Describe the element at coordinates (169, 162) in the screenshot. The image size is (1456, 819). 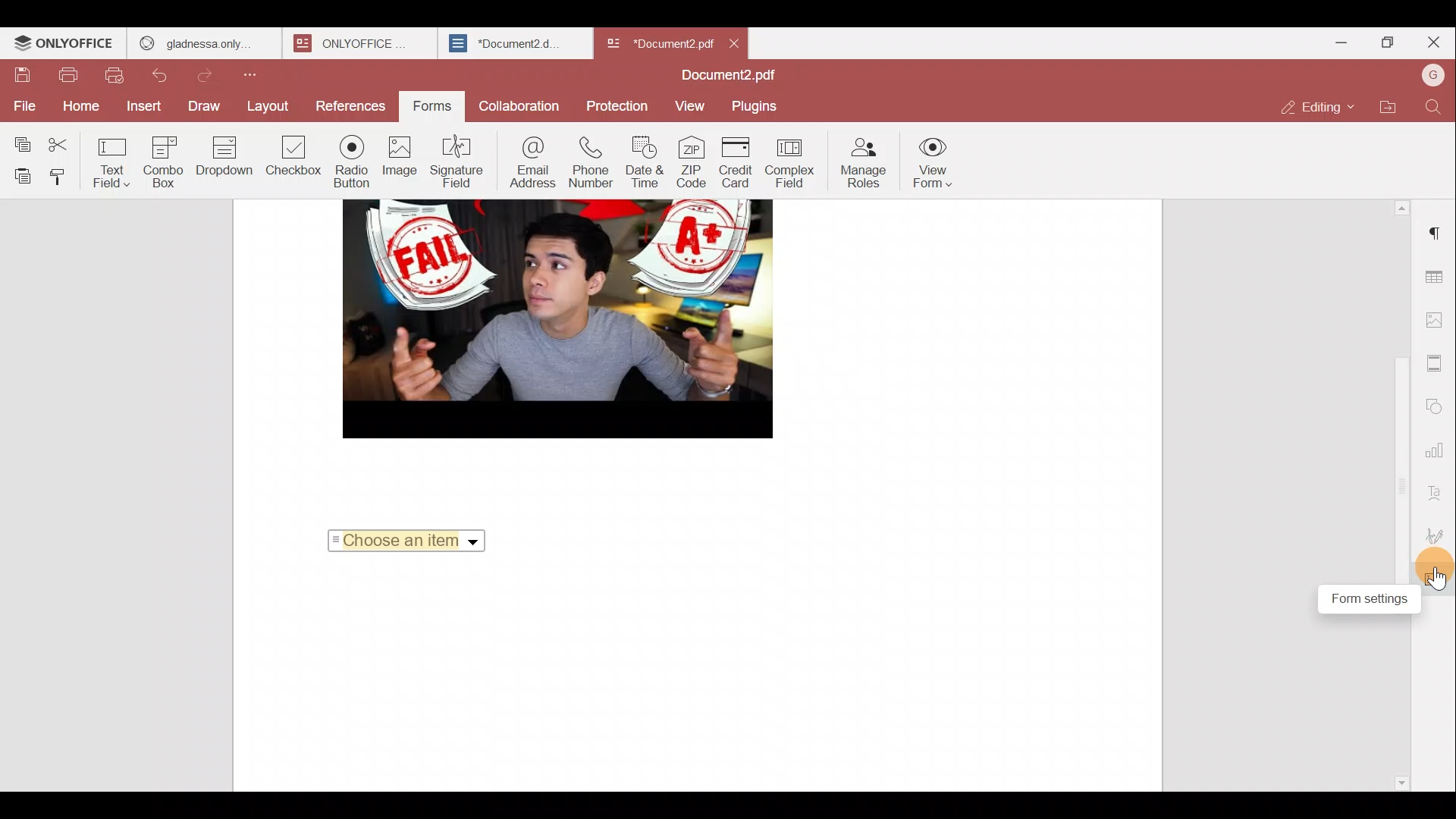
I see `Combo box` at that location.